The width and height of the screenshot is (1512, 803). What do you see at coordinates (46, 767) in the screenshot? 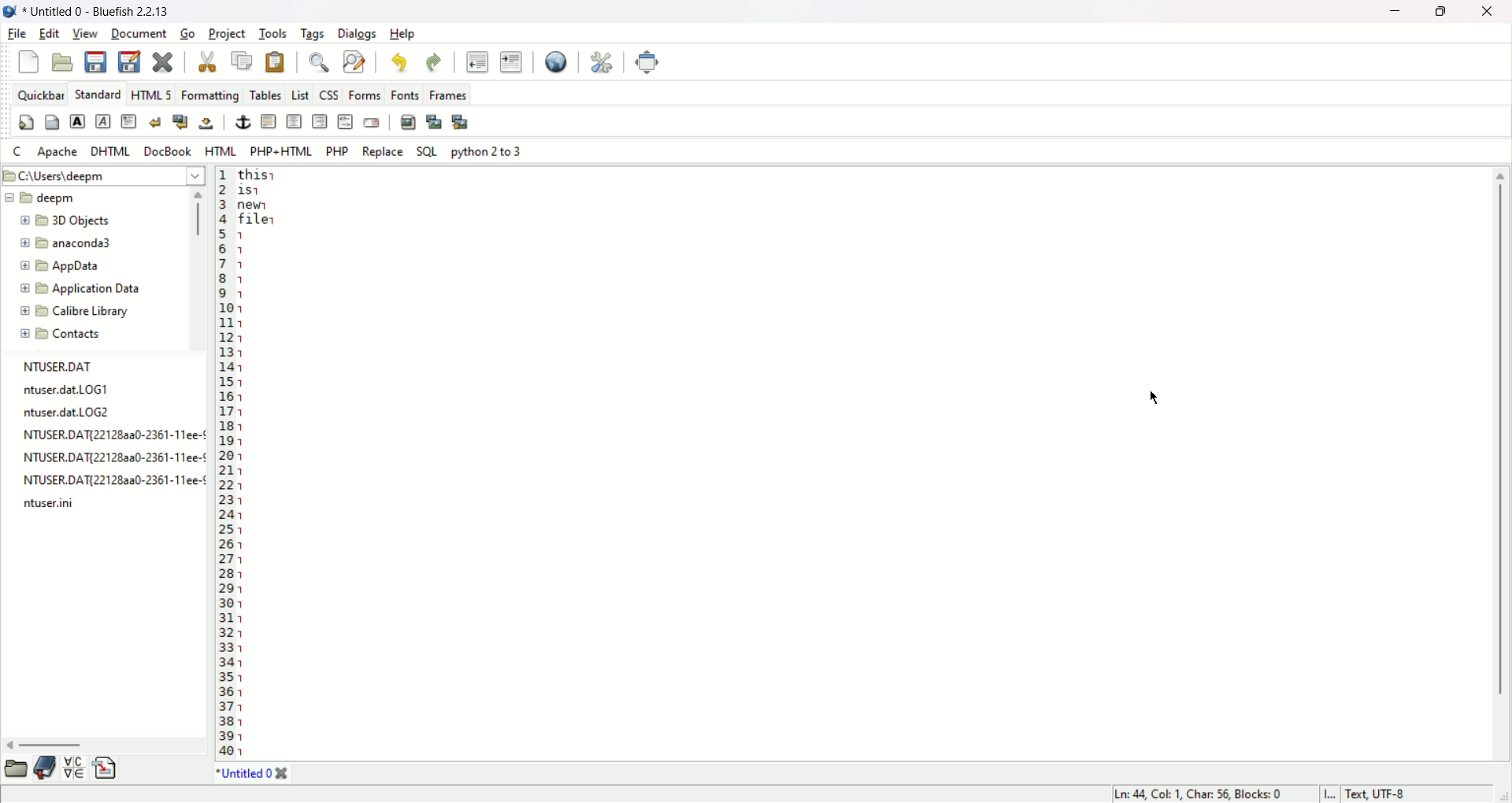
I see `bookmarks` at bounding box center [46, 767].